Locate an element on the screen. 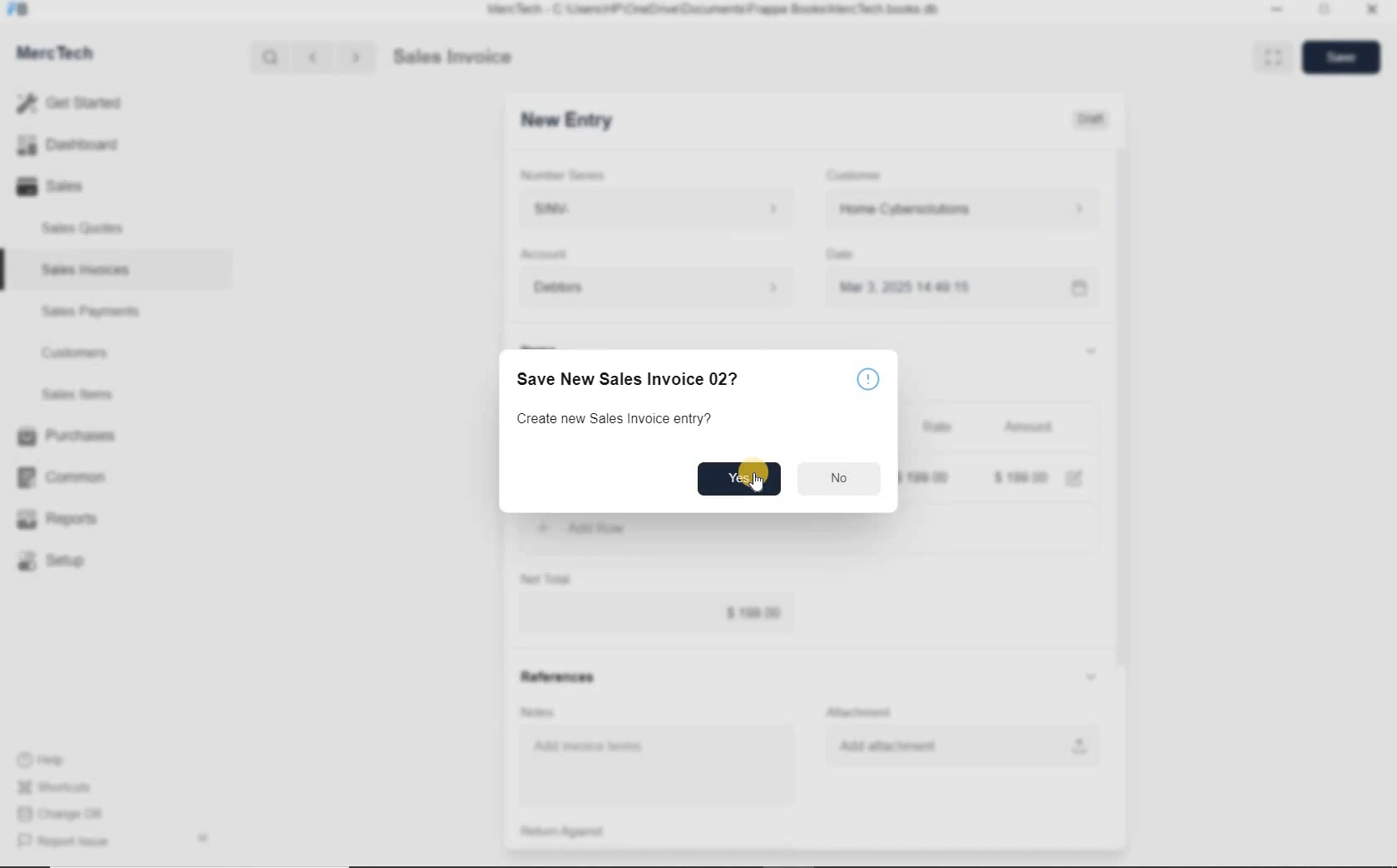  Customer is located at coordinates (865, 175).